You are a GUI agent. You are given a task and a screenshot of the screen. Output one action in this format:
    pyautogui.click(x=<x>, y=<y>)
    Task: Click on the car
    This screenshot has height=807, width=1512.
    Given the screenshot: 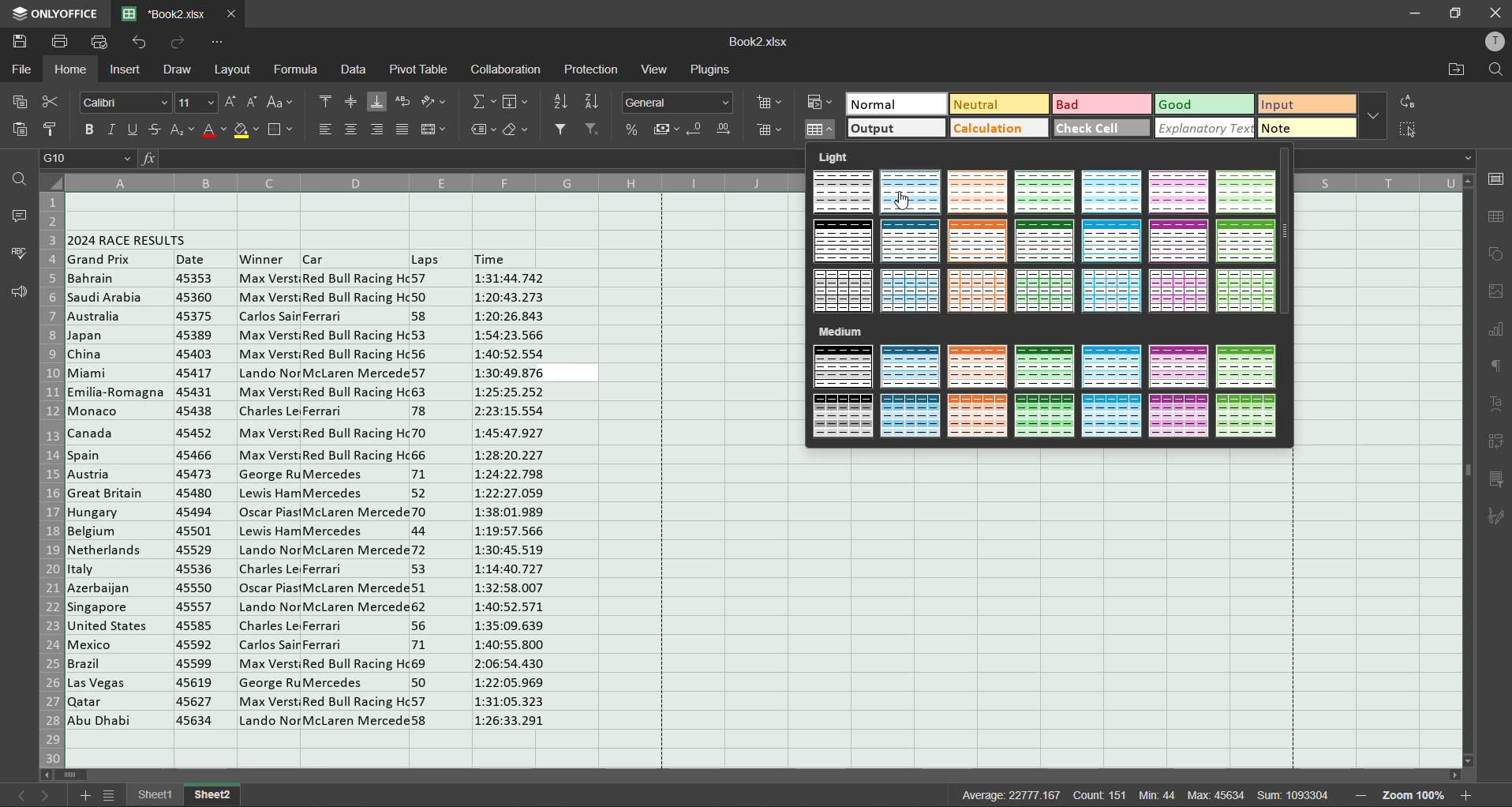 What is the action you would take?
    pyautogui.click(x=357, y=501)
    